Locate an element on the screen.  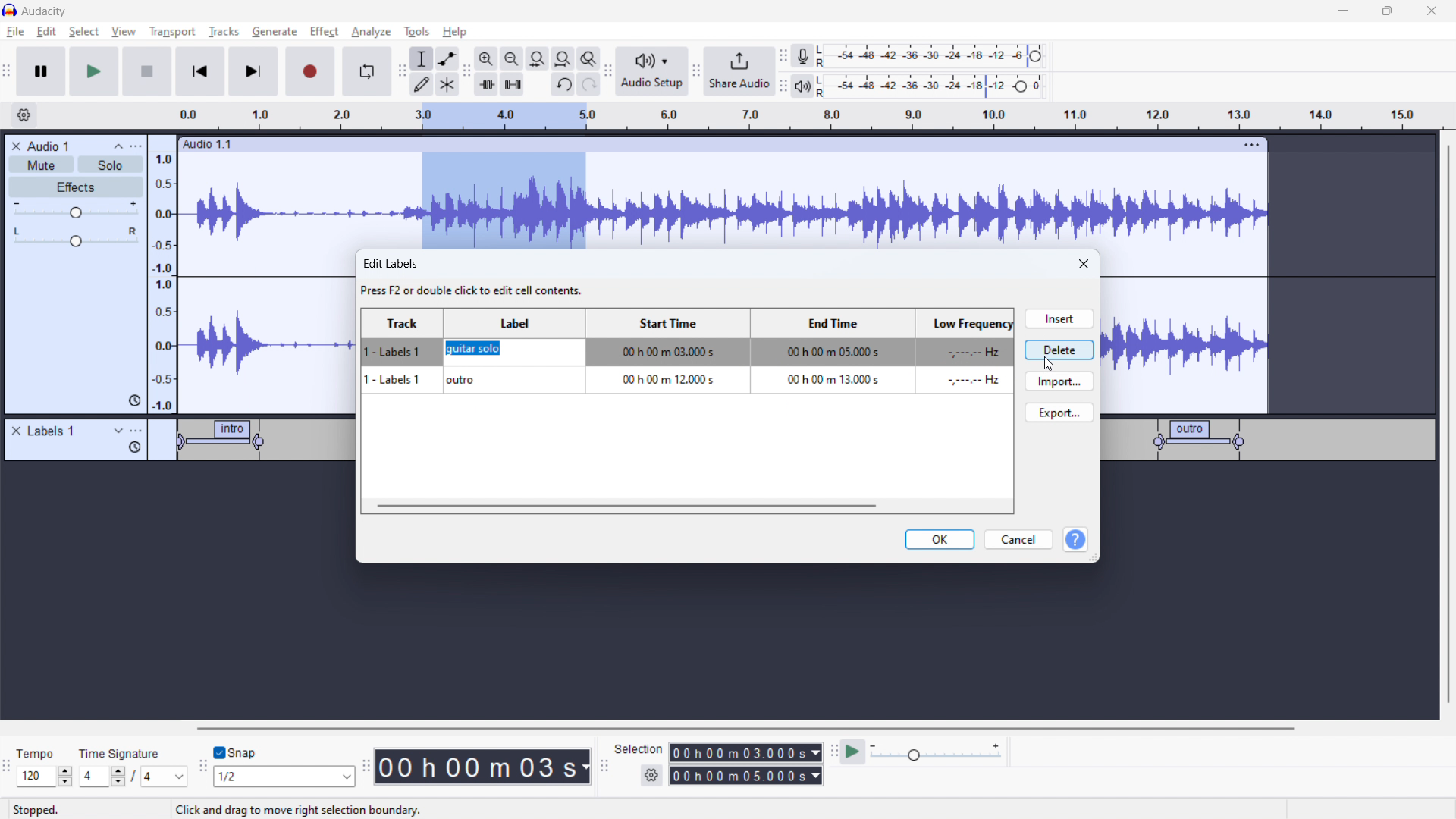
record is located at coordinates (311, 71).